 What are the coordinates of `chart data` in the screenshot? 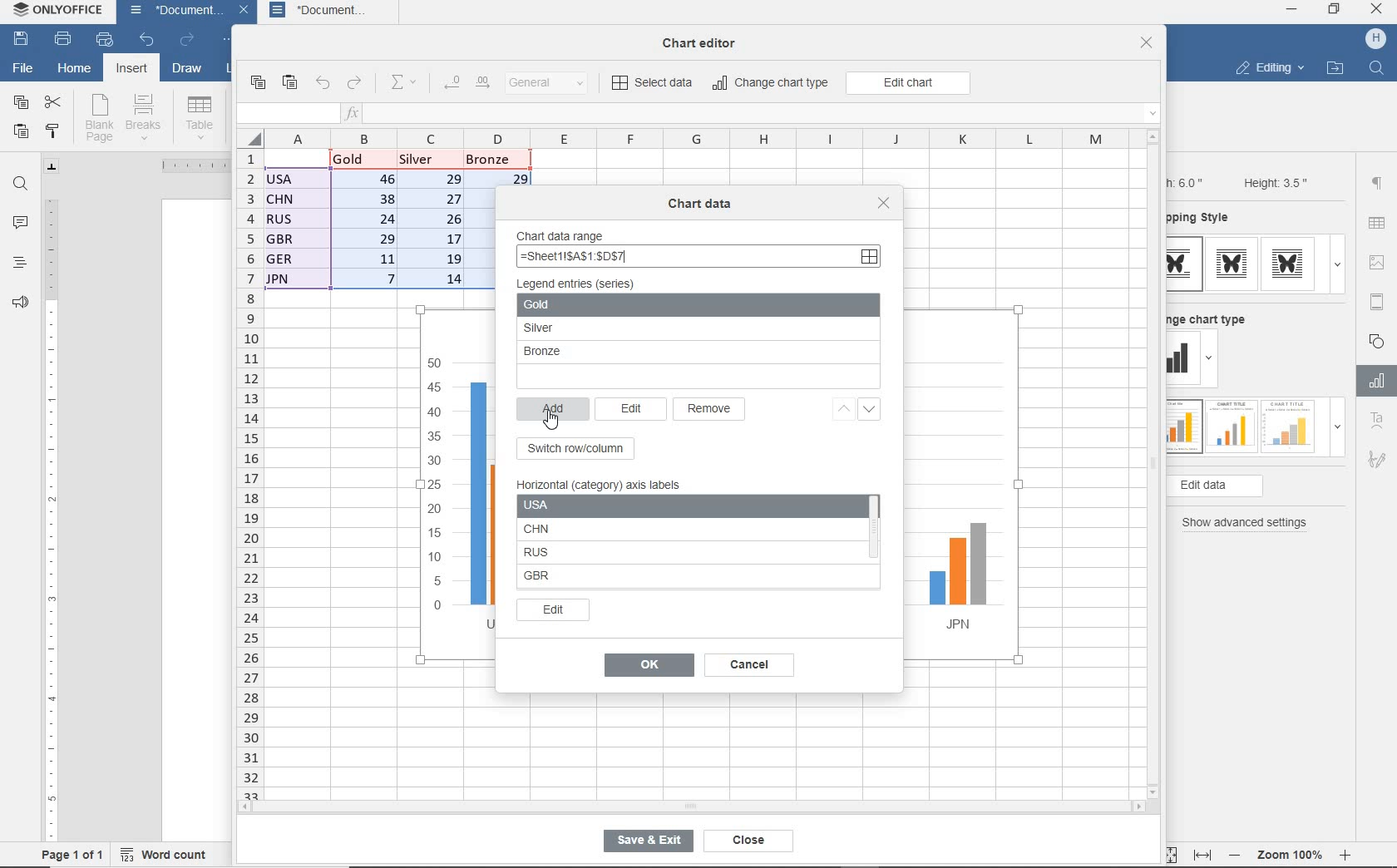 It's located at (701, 204).